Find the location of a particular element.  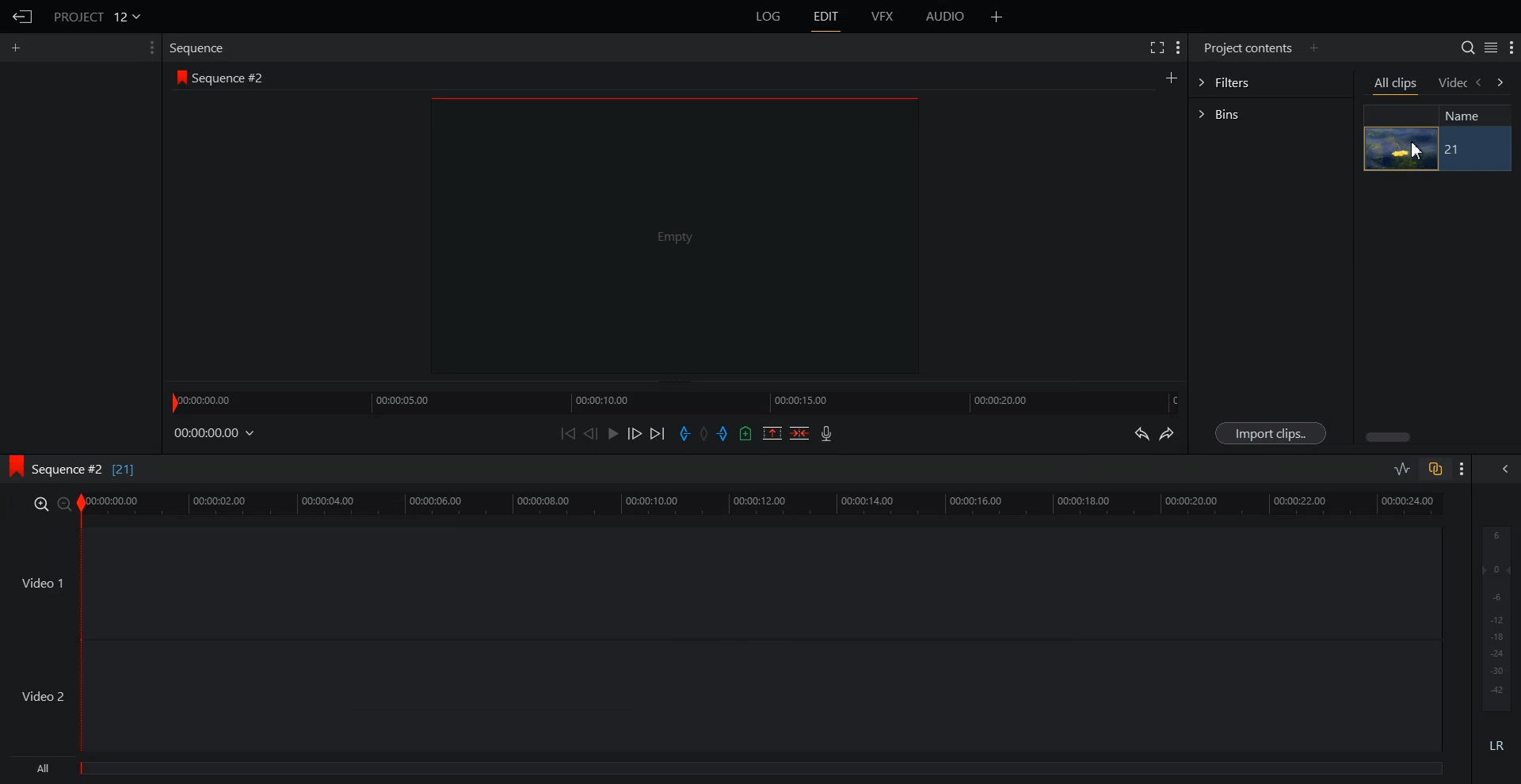

21 is located at coordinates (1473, 150).